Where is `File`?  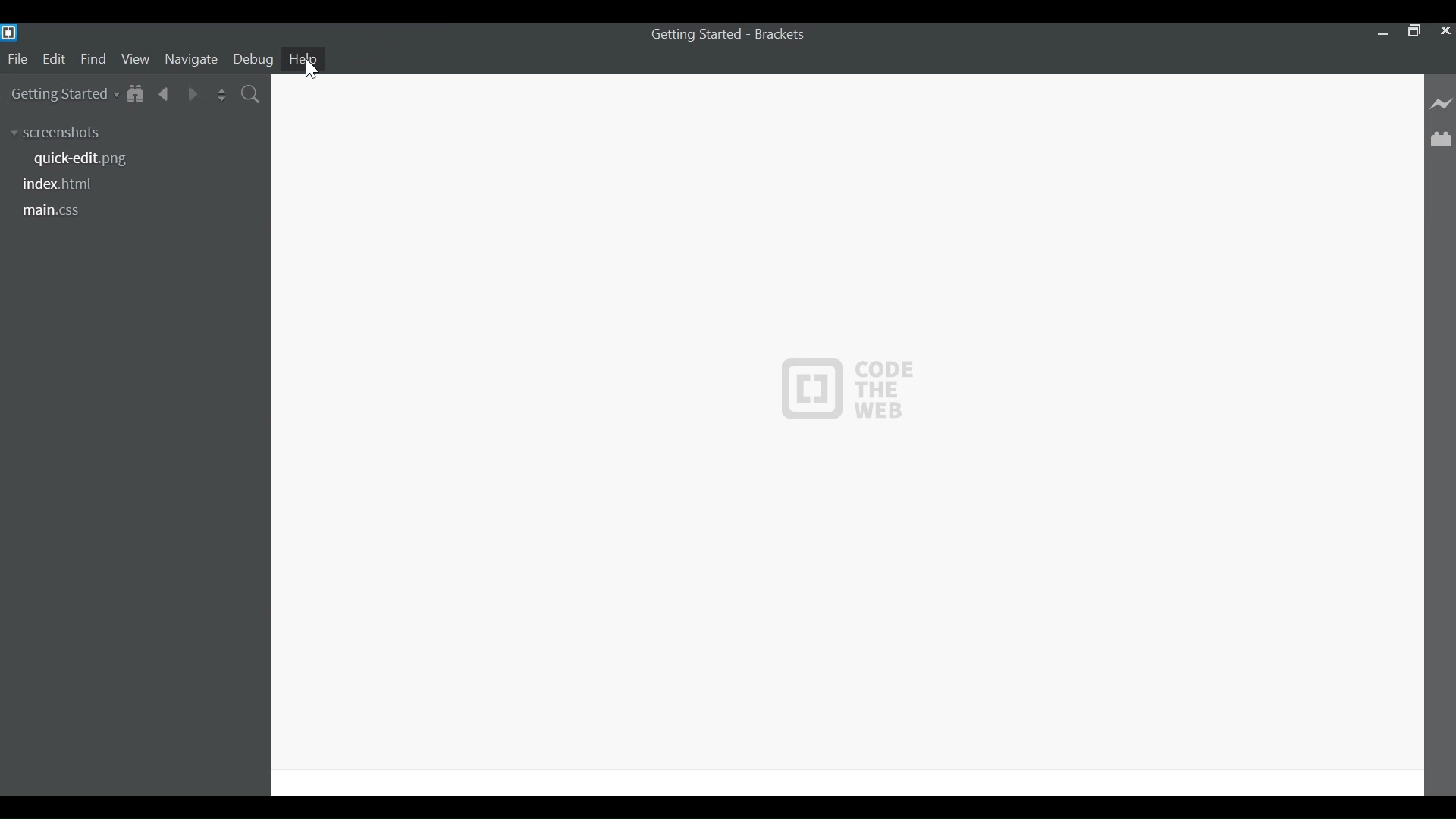
File is located at coordinates (17, 60).